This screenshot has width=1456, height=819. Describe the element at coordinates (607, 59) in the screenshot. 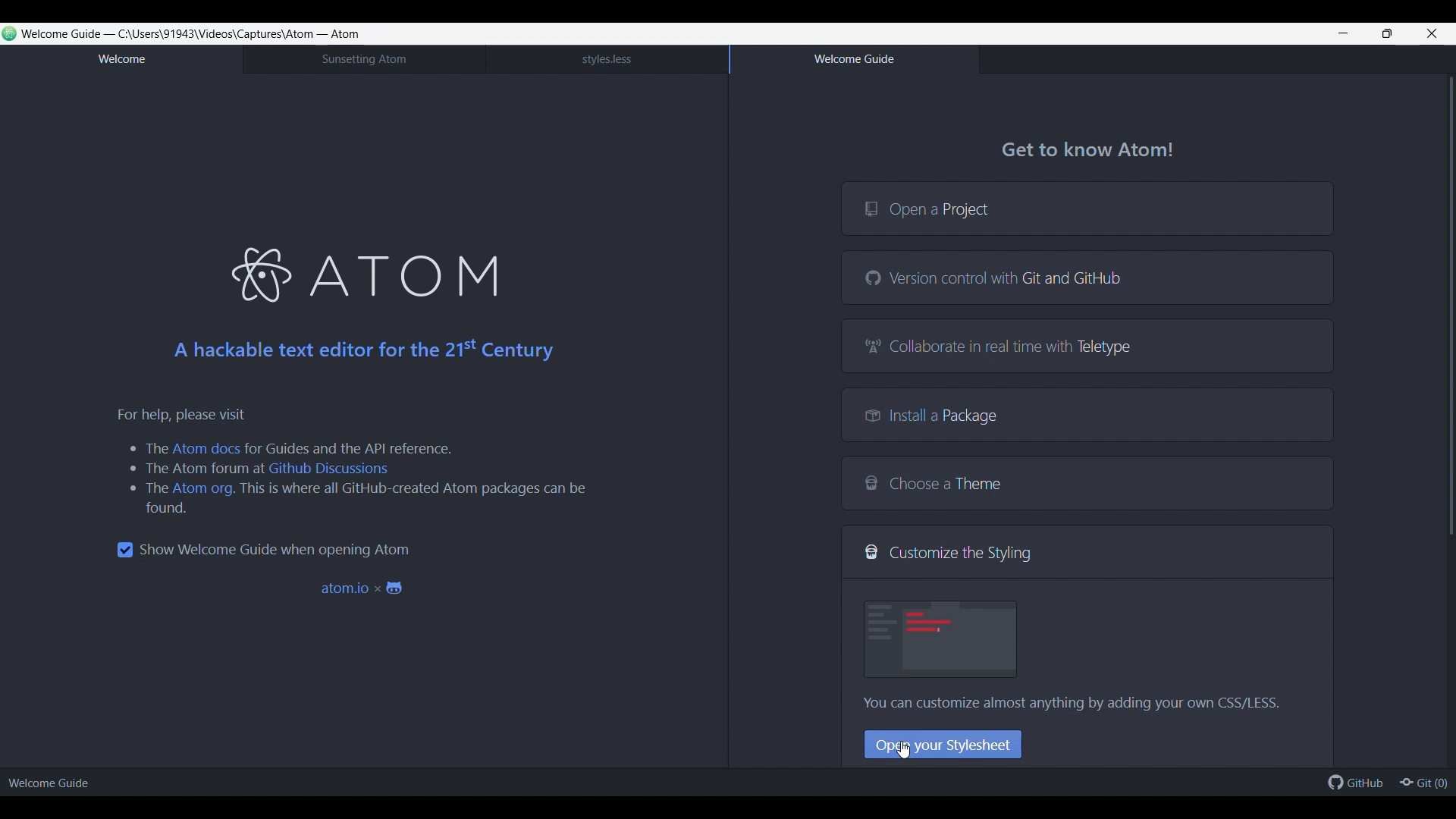

I see `style.less tab` at that location.